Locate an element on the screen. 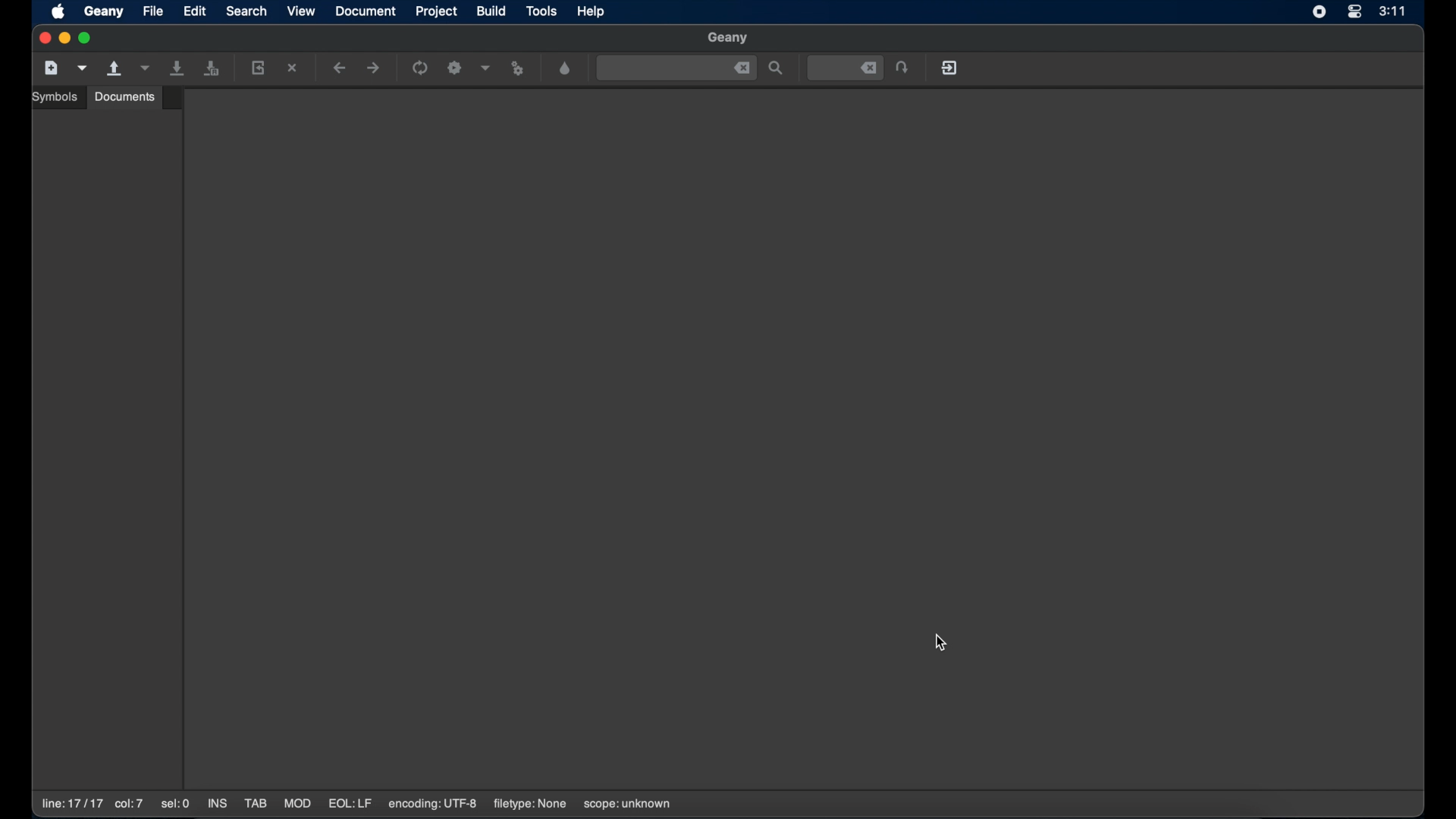 The image size is (1456, 819). help is located at coordinates (592, 11).